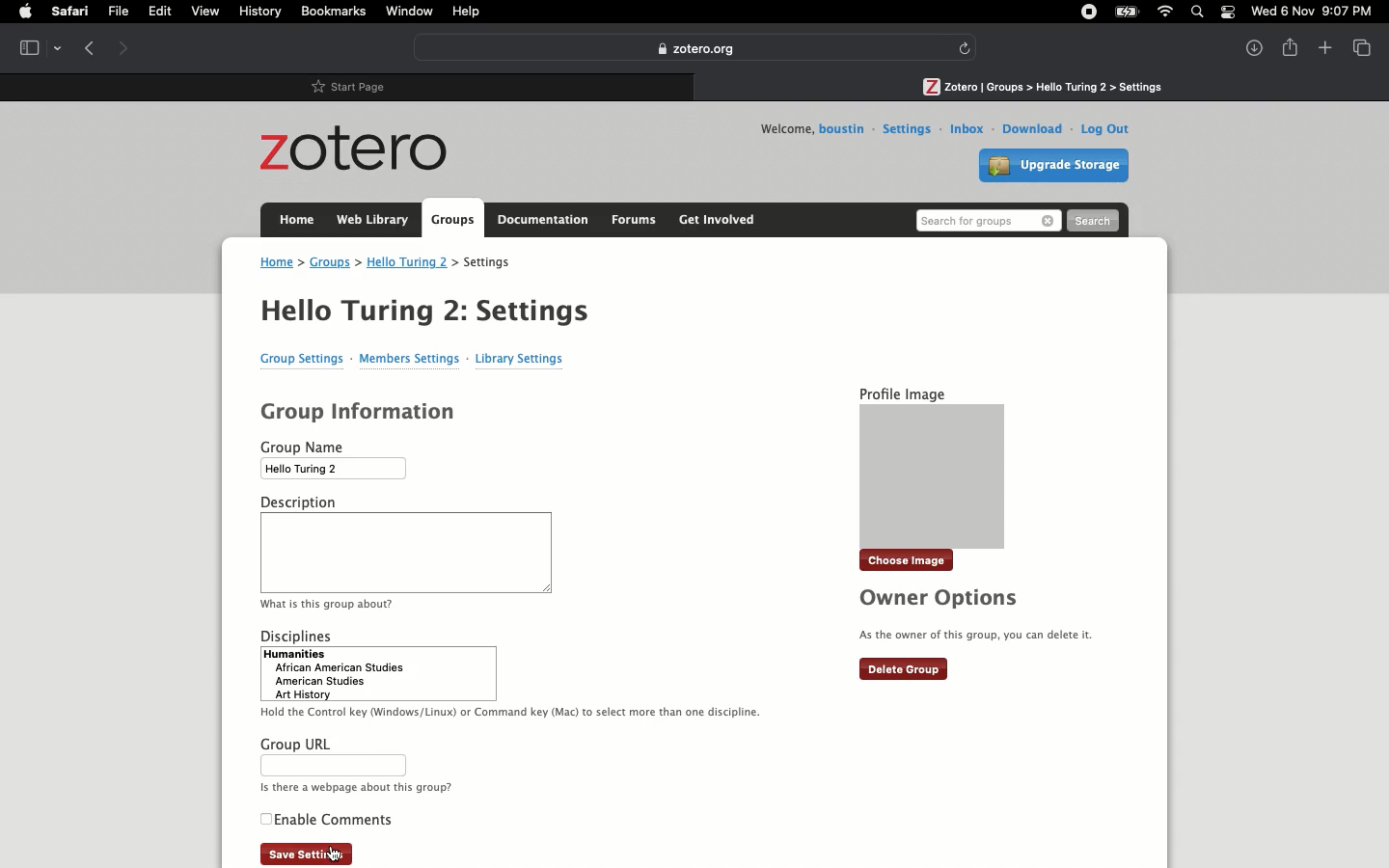  What do you see at coordinates (1057, 168) in the screenshot?
I see `Upgrade storage` at bounding box center [1057, 168].